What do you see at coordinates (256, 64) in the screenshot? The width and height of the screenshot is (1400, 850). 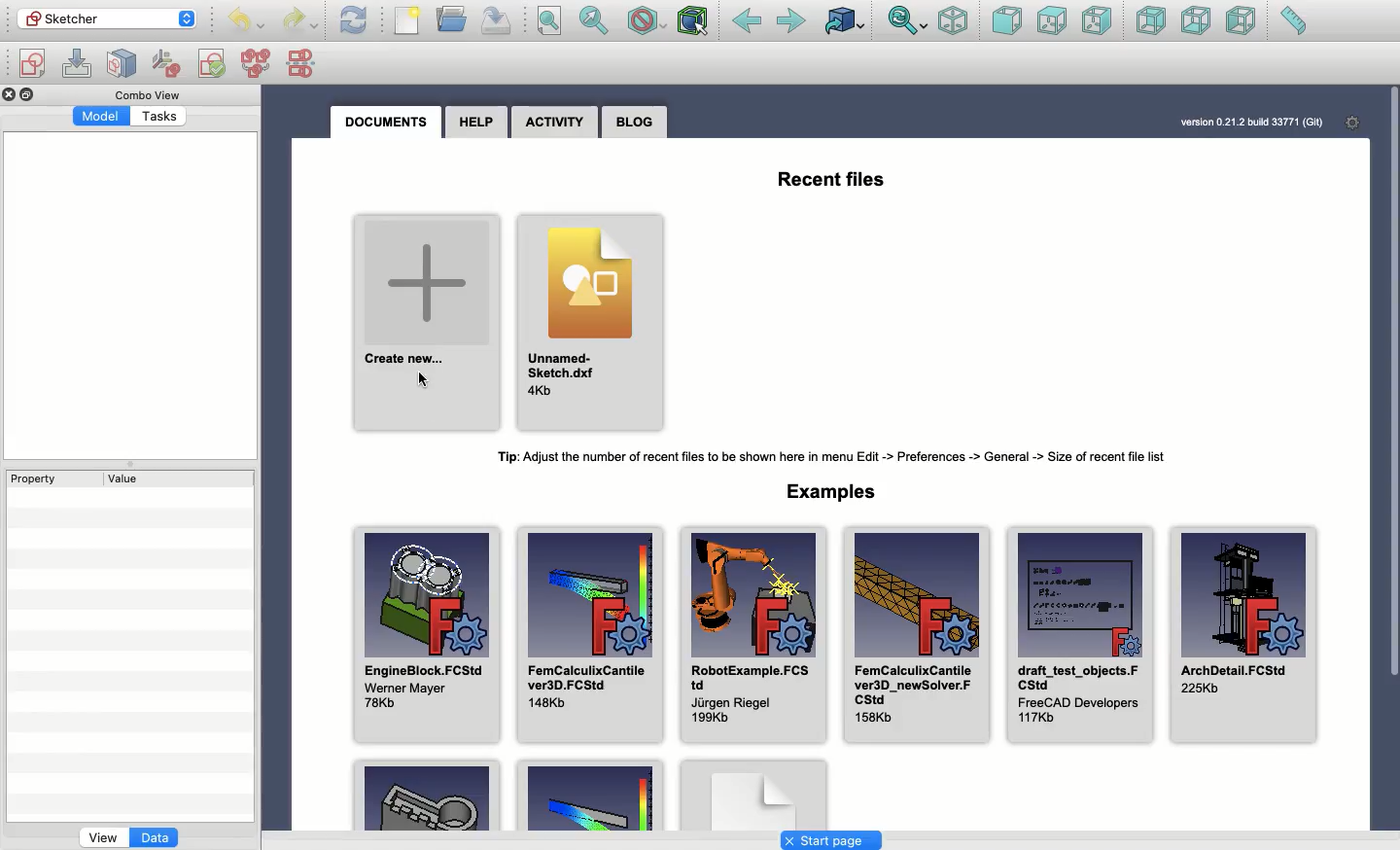 I see `Merge sketches` at bounding box center [256, 64].